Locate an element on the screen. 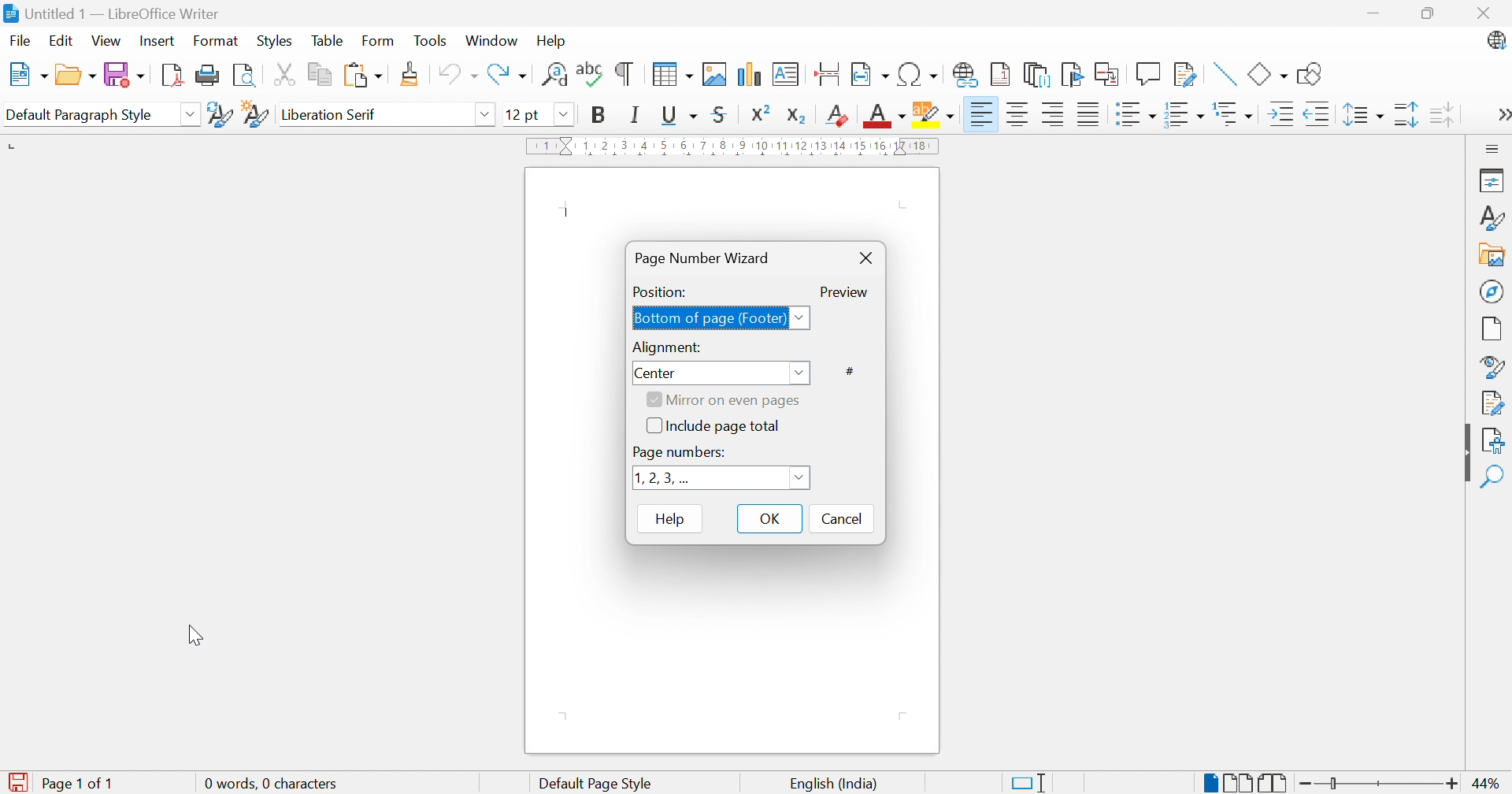  Set line spacing is located at coordinates (1365, 114).